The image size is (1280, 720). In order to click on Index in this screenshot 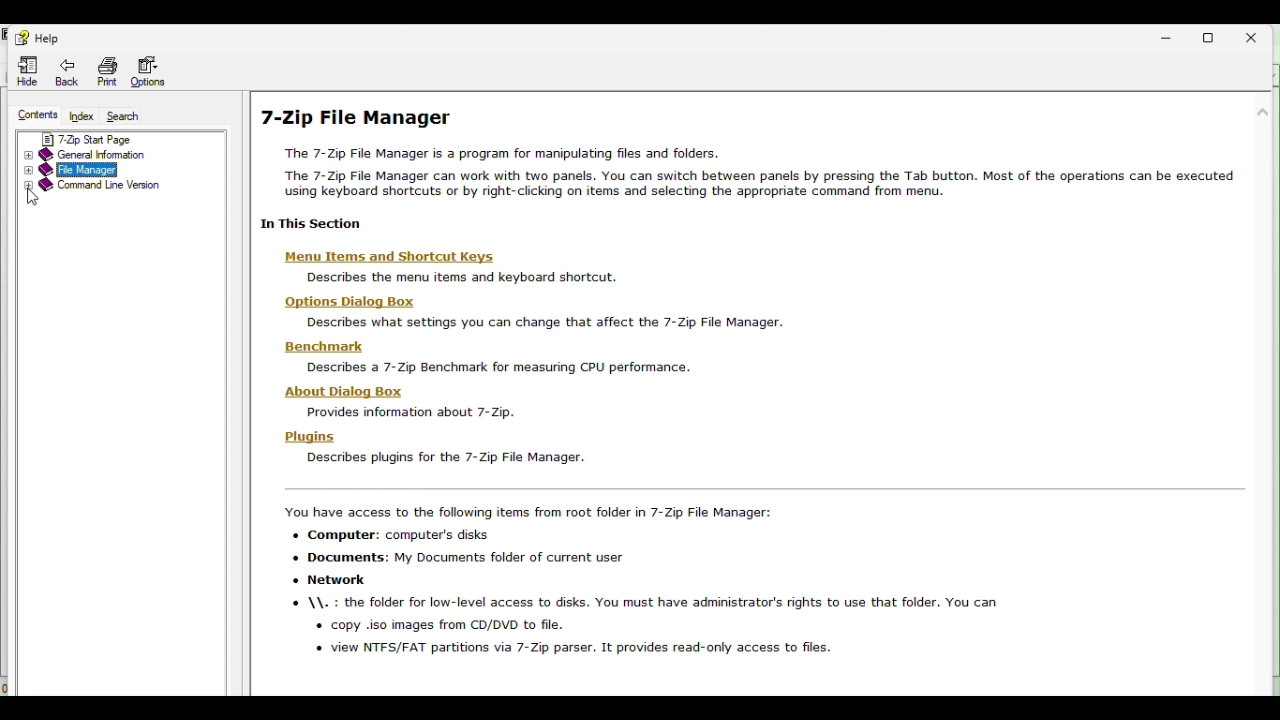, I will do `click(83, 118)`.